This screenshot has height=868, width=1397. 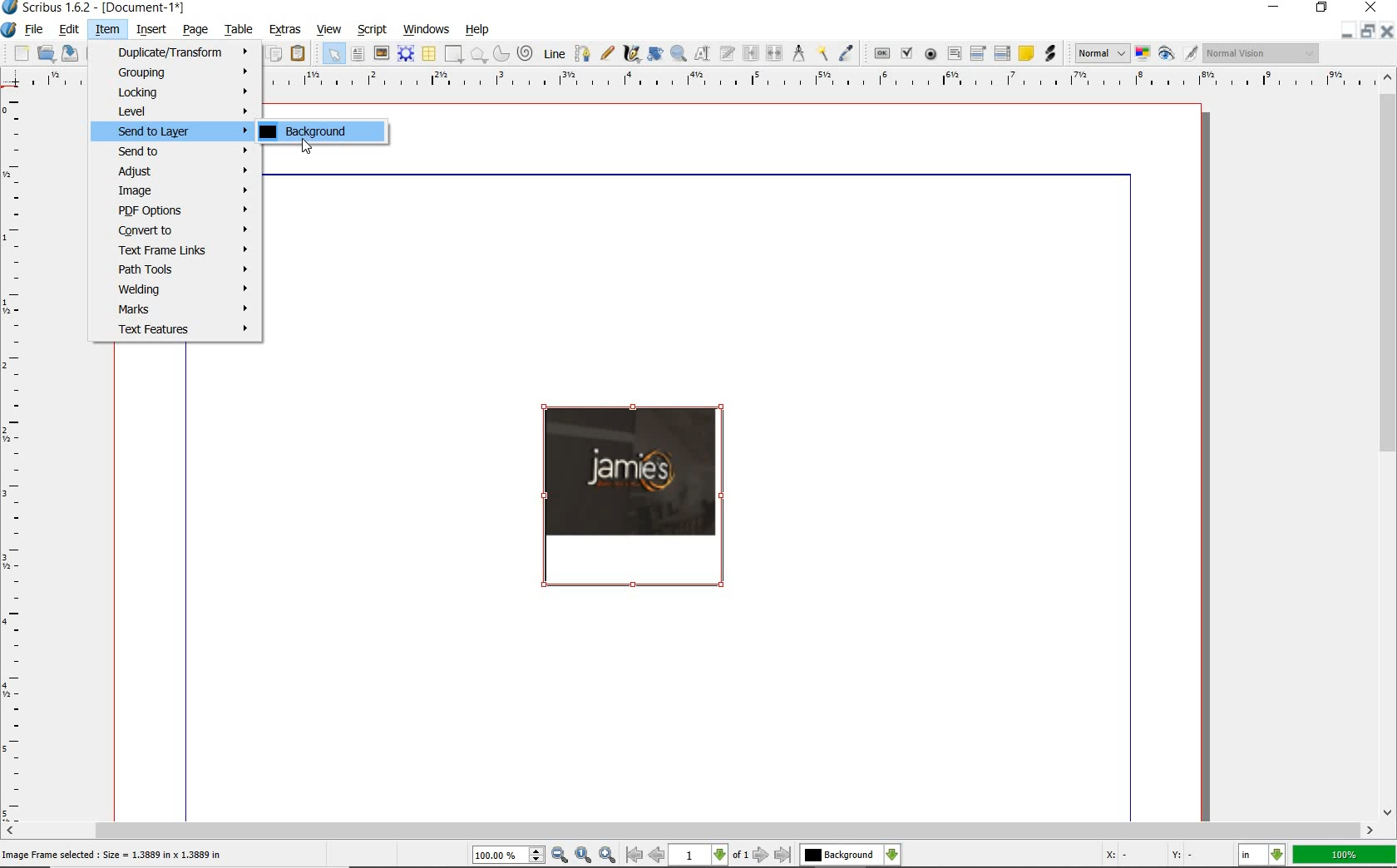 What do you see at coordinates (606, 52) in the screenshot?
I see `freehand line` at bounding box center [606, 52].